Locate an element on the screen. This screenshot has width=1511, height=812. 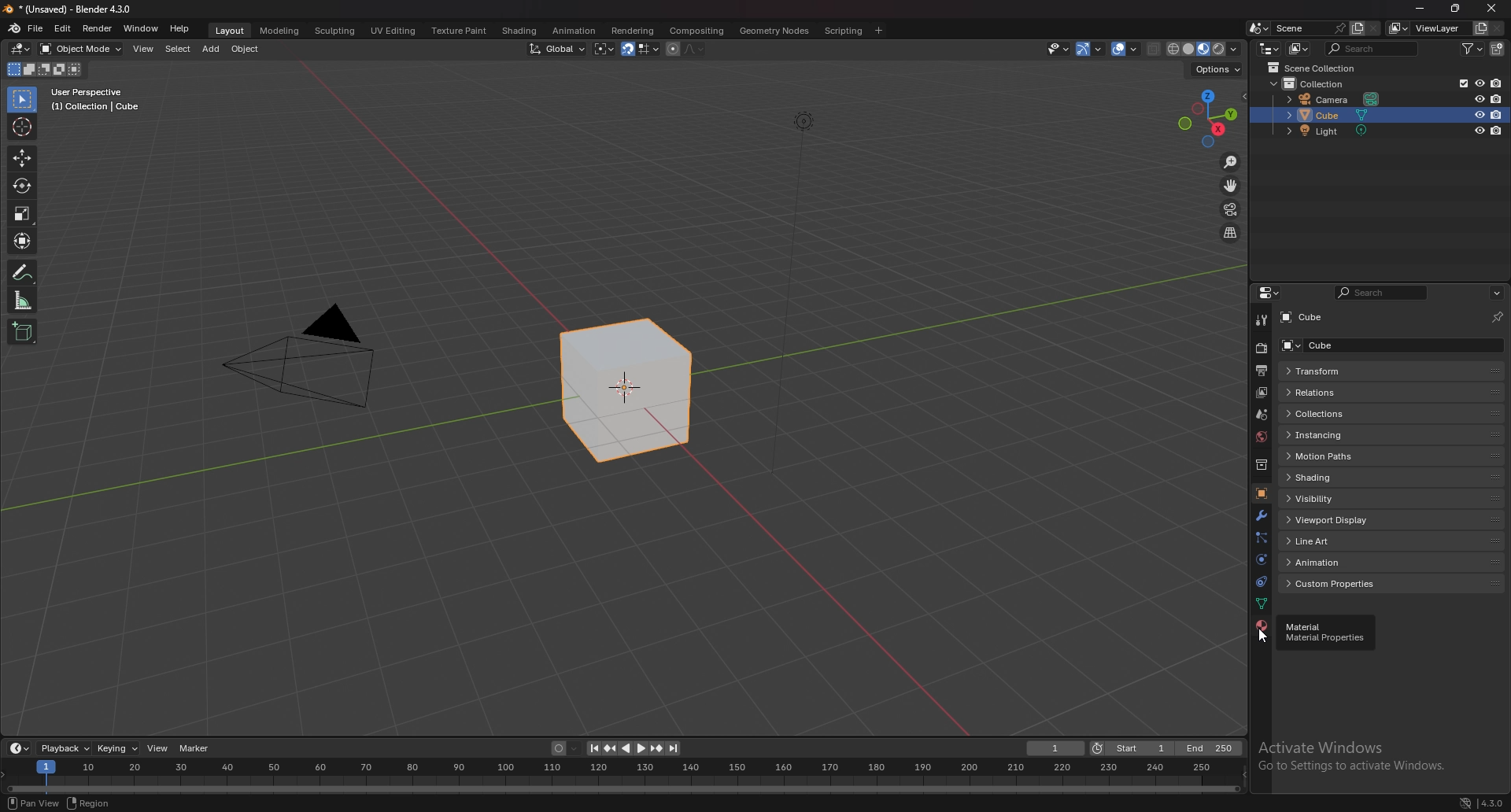
custom properties is located at coordinates (1391, 584).